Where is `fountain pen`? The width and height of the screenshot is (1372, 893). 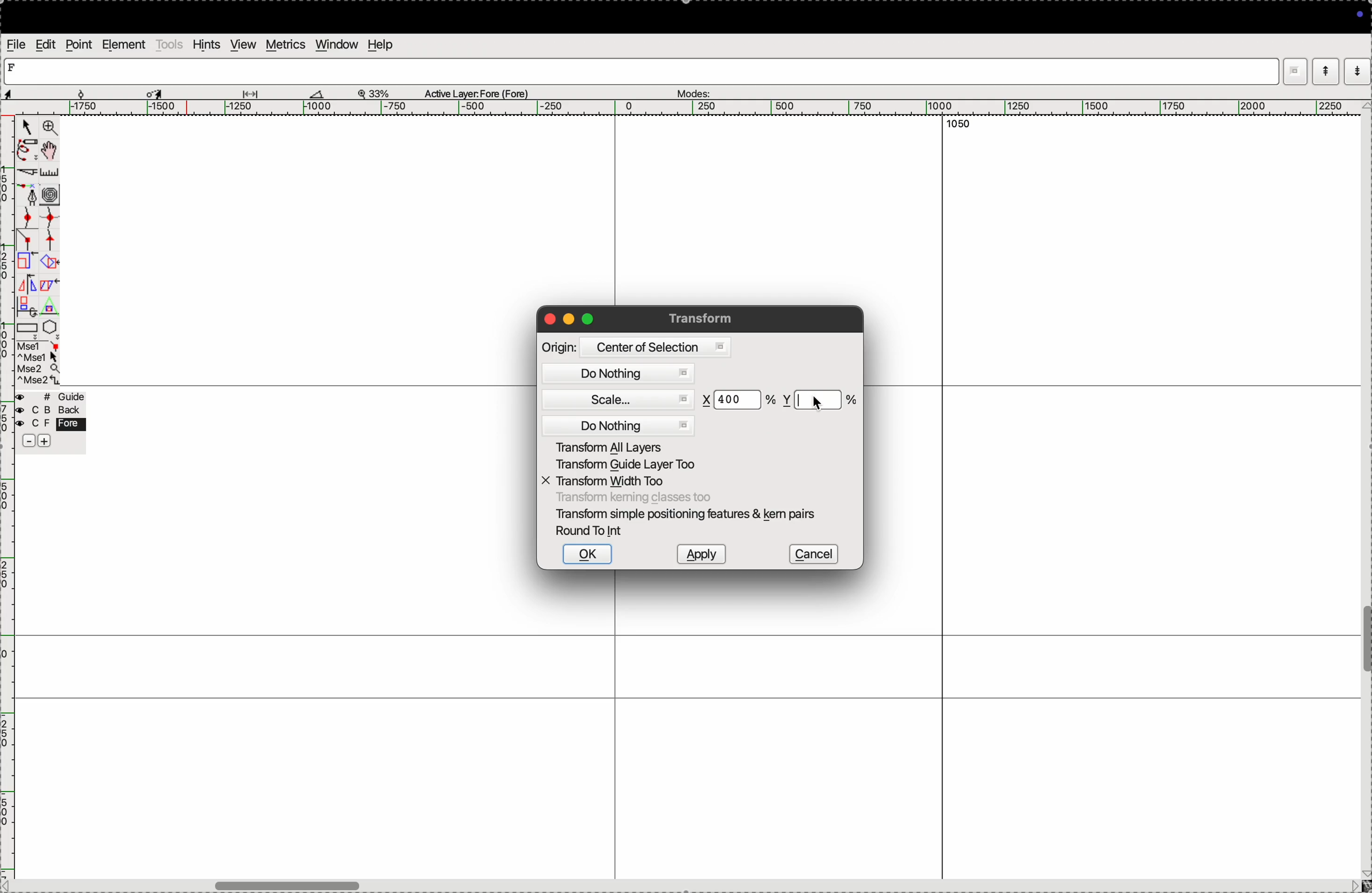
fountain pen is located at coordinates (32, 196).